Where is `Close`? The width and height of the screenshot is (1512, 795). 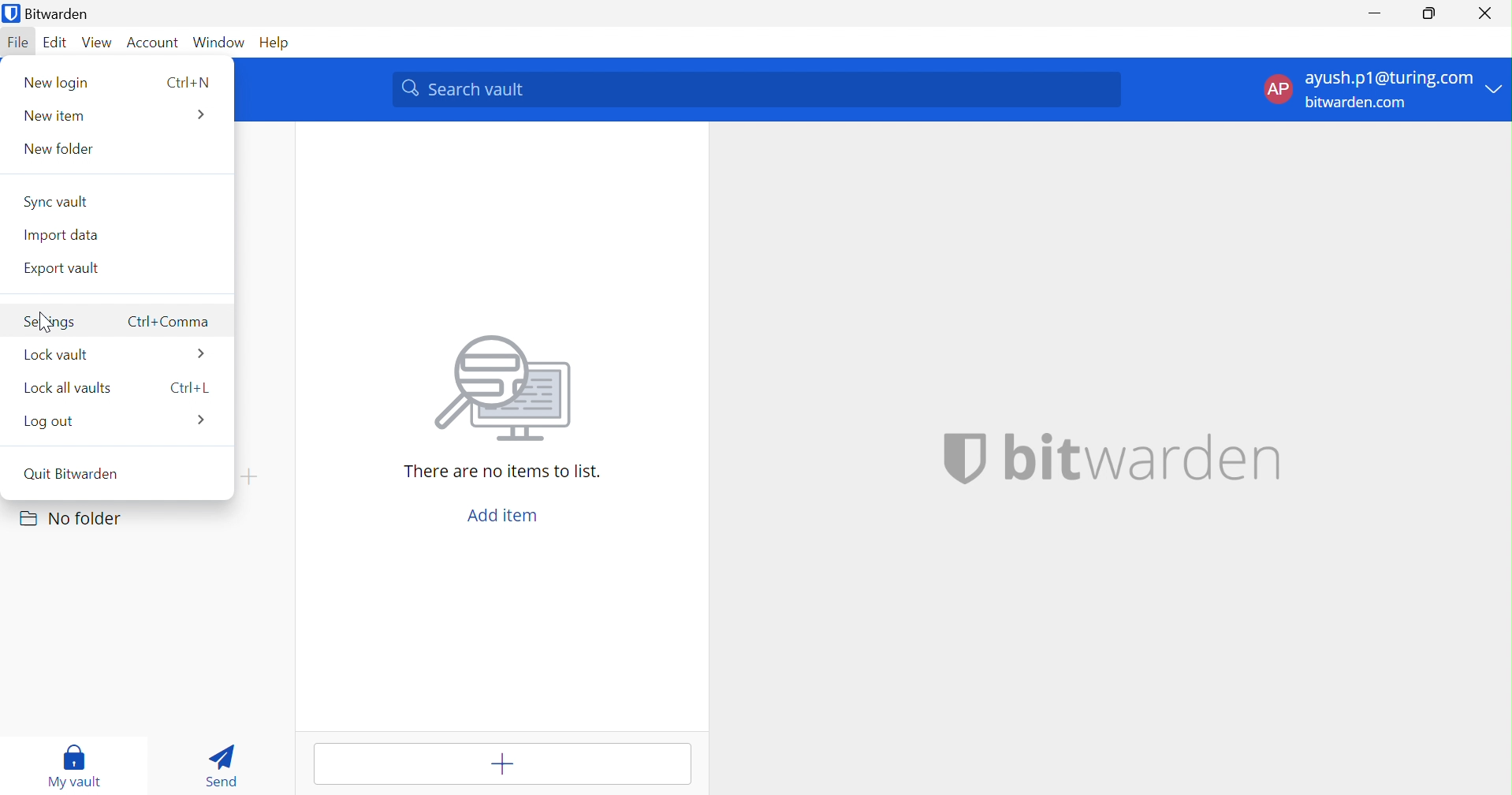 Close is located at coordinates (1484, 11).